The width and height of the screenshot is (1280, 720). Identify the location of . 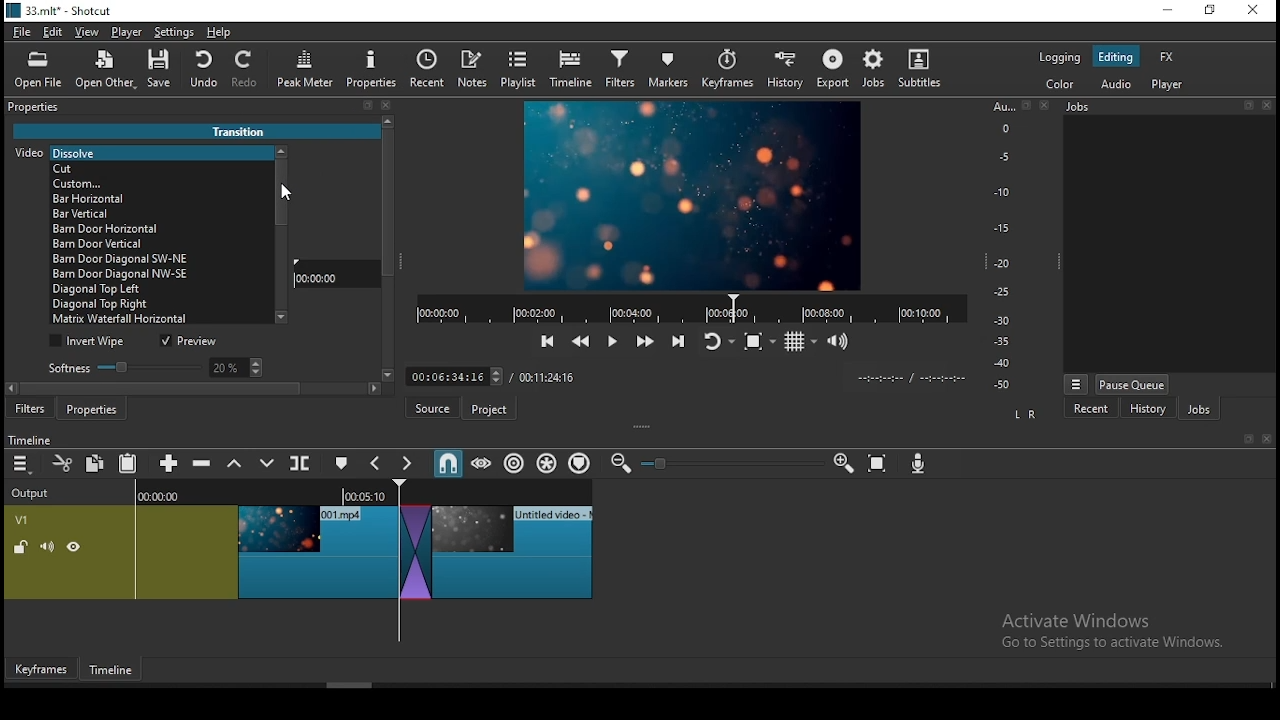
(1025, 106).